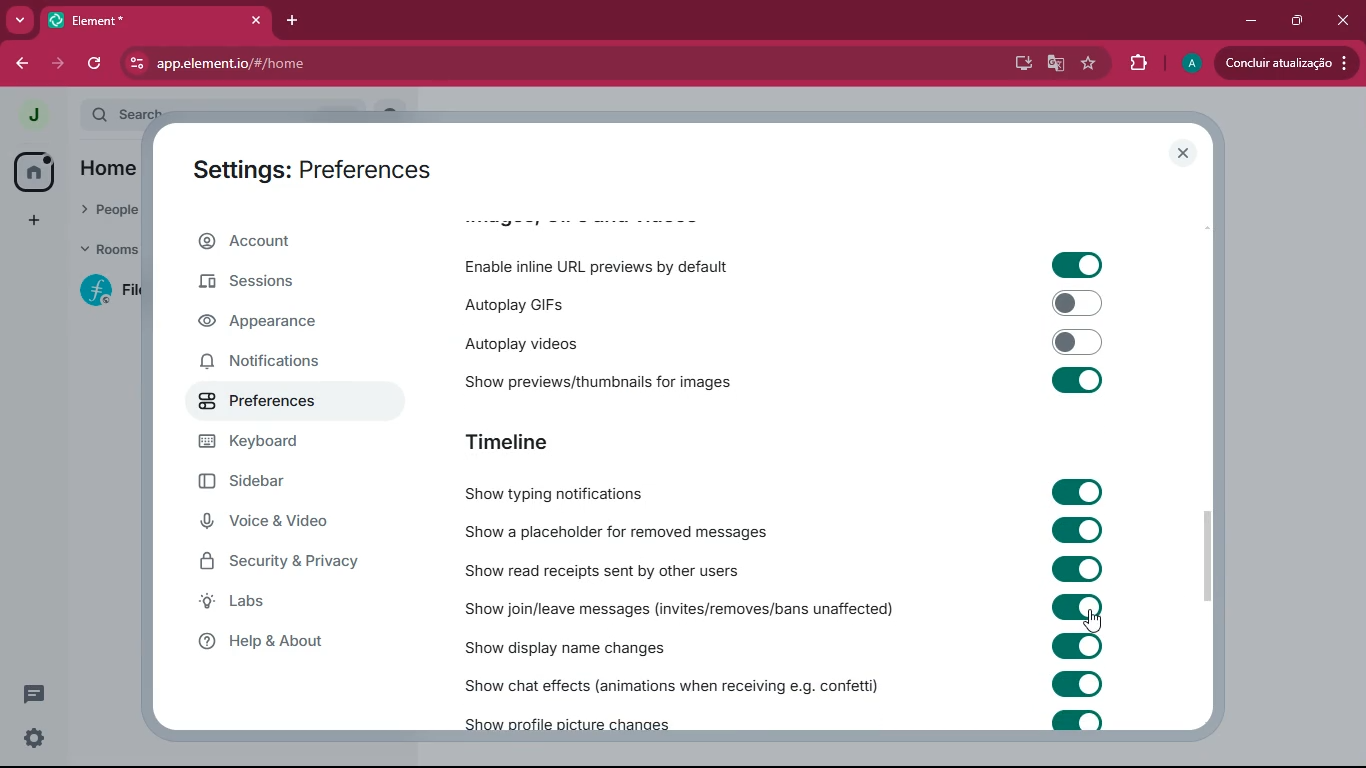 The height and width of the screenshot is (768, 1366). What do you see at coordinates (272, 606) in the screenshot?
I see `labs` at bounding box center [272, 606].